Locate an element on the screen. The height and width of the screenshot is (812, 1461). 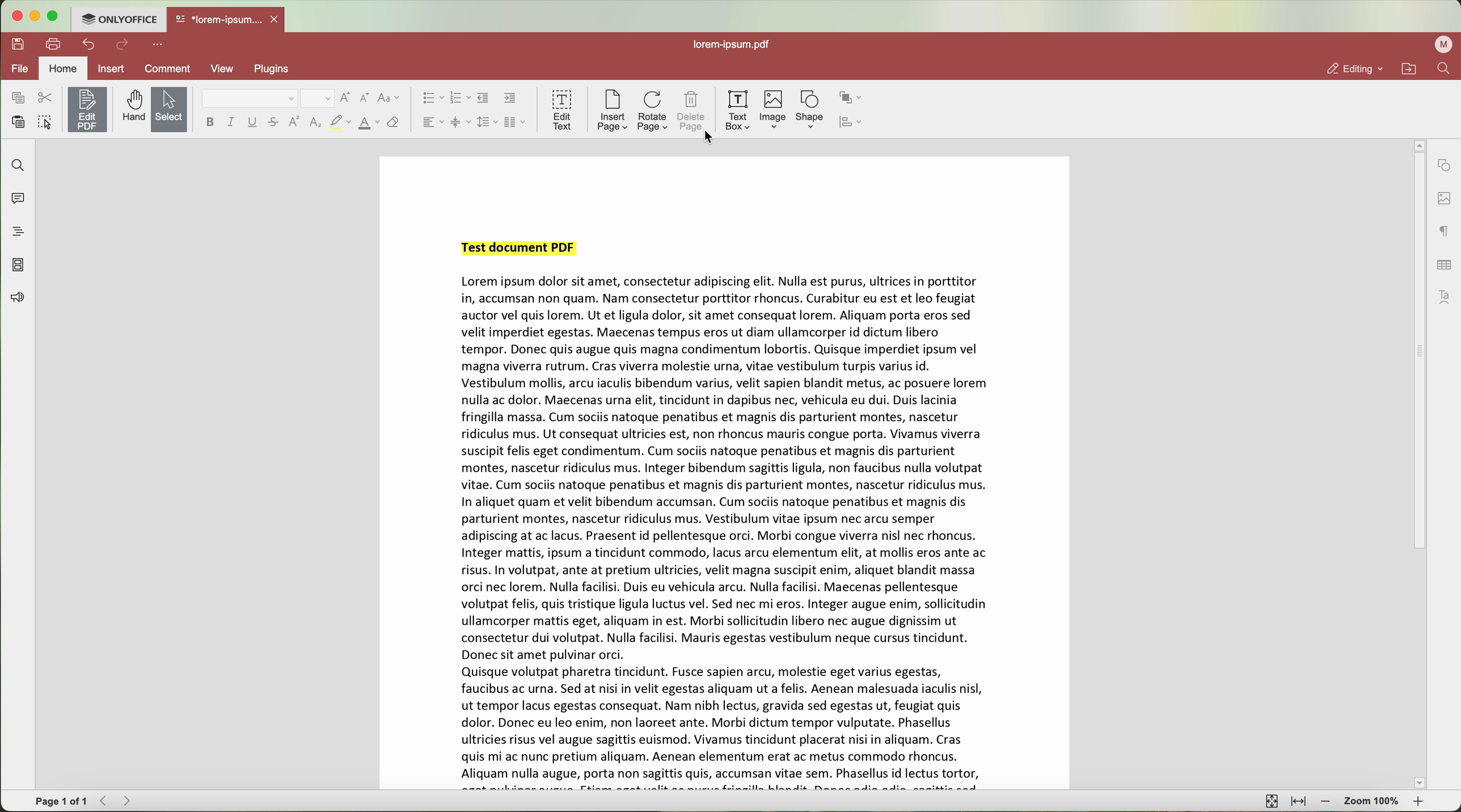
subscript is located at coordinates (315, 124).